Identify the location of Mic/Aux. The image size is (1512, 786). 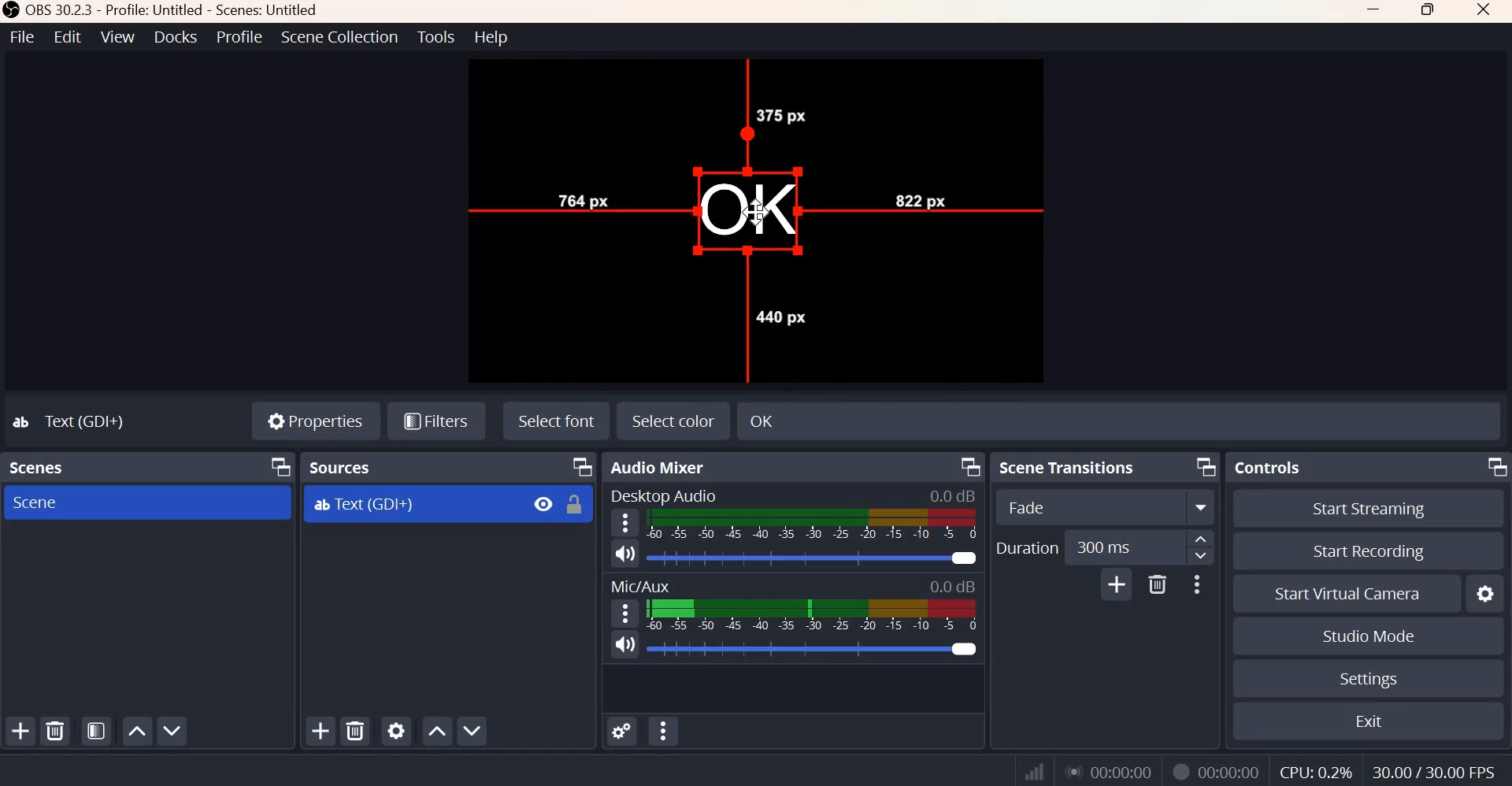
(639, 584).